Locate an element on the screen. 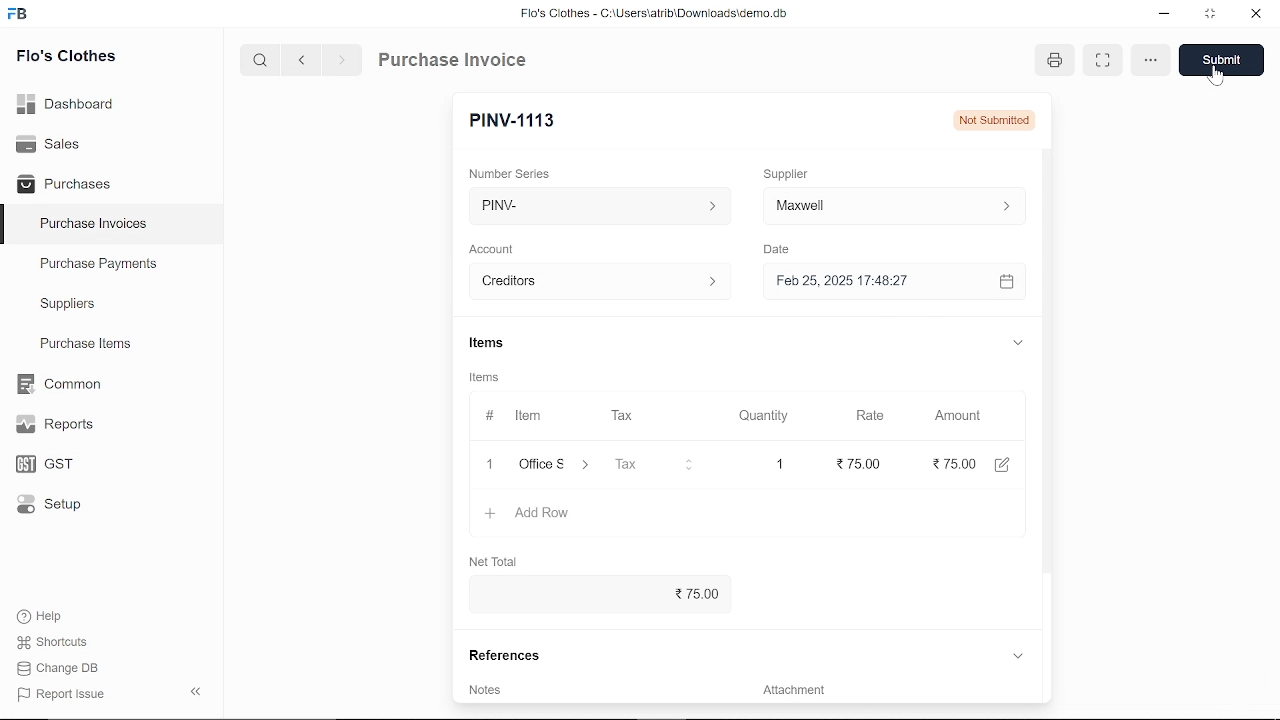 This screenshot has width=1280, height=720. creditors is located at coordinates (596, 280).